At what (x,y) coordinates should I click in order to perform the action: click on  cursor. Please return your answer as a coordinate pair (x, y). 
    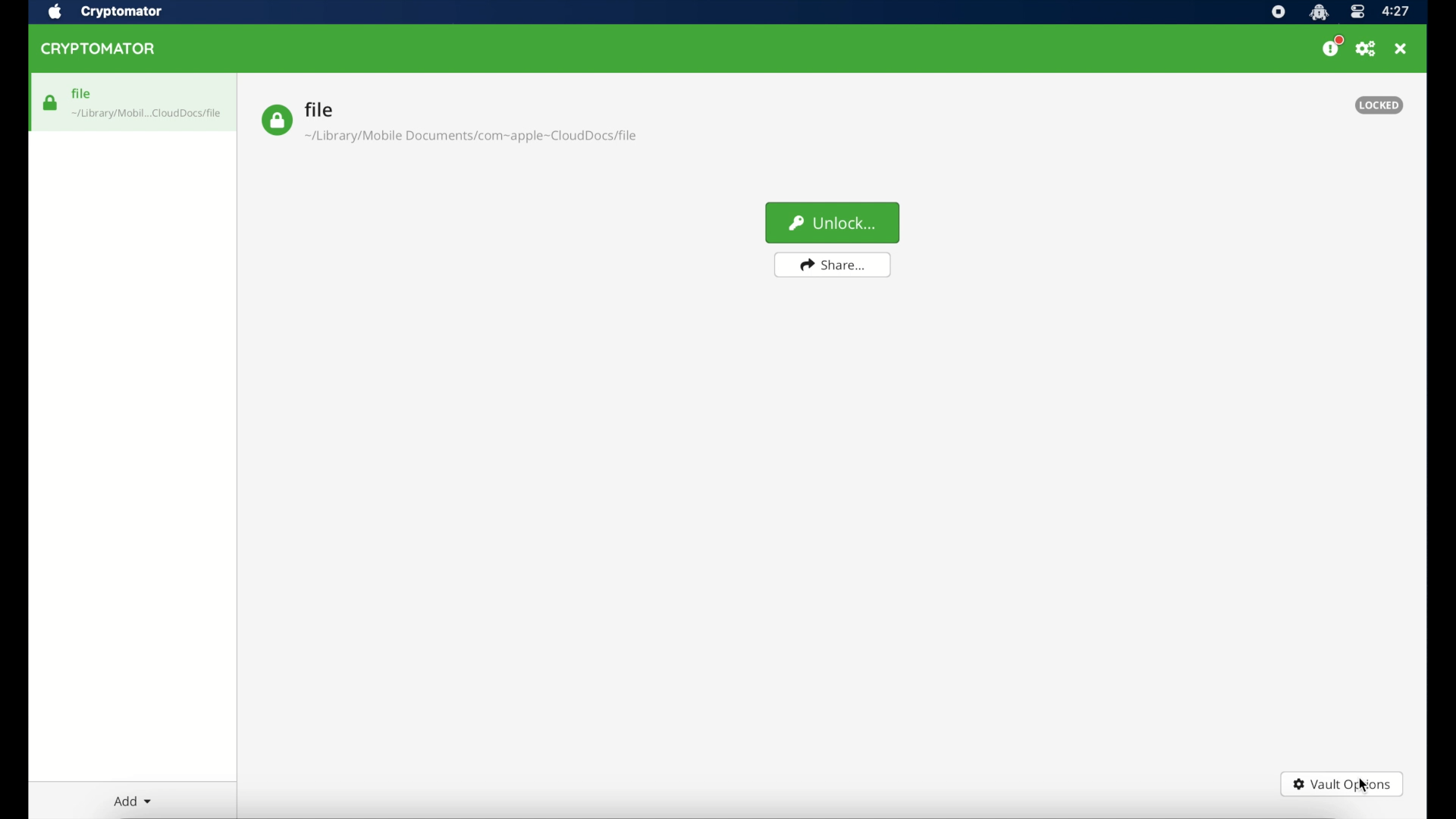
    Looking at the image, I should click on (1363, 783).